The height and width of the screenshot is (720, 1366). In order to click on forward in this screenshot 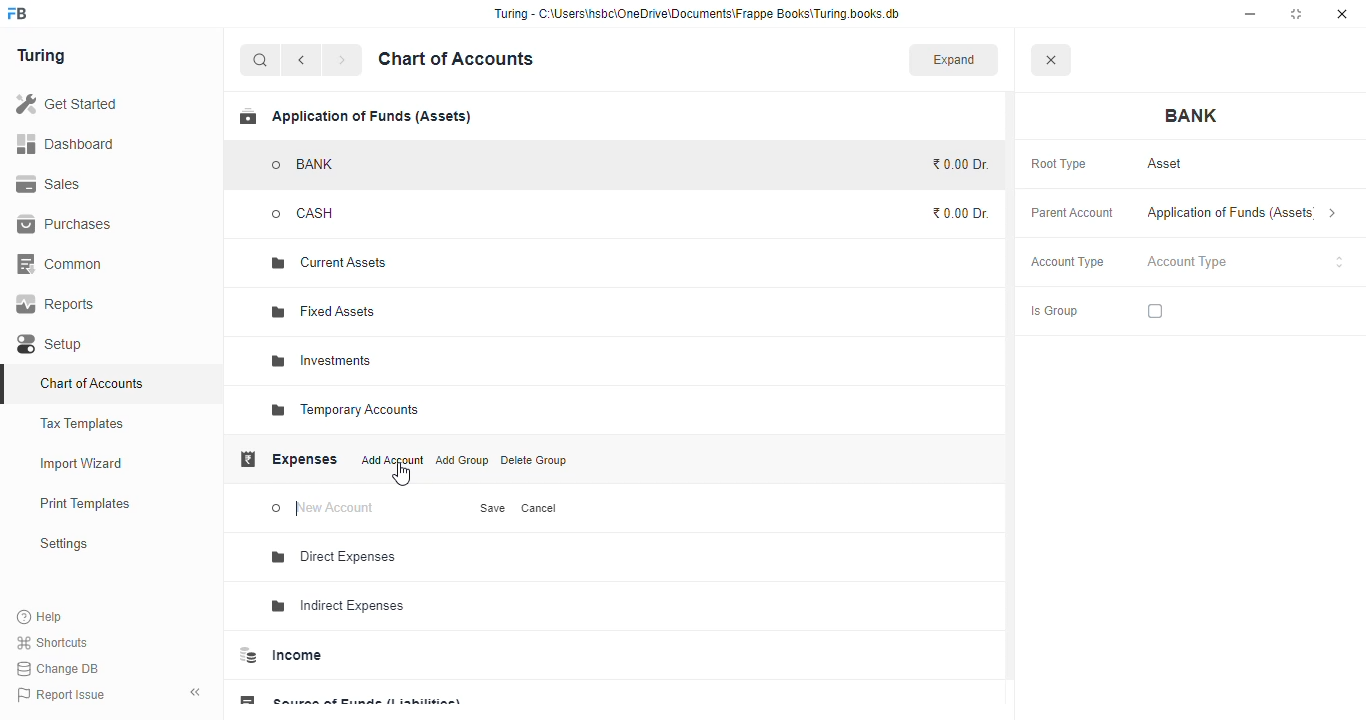, I will do `click(342, 60)`.